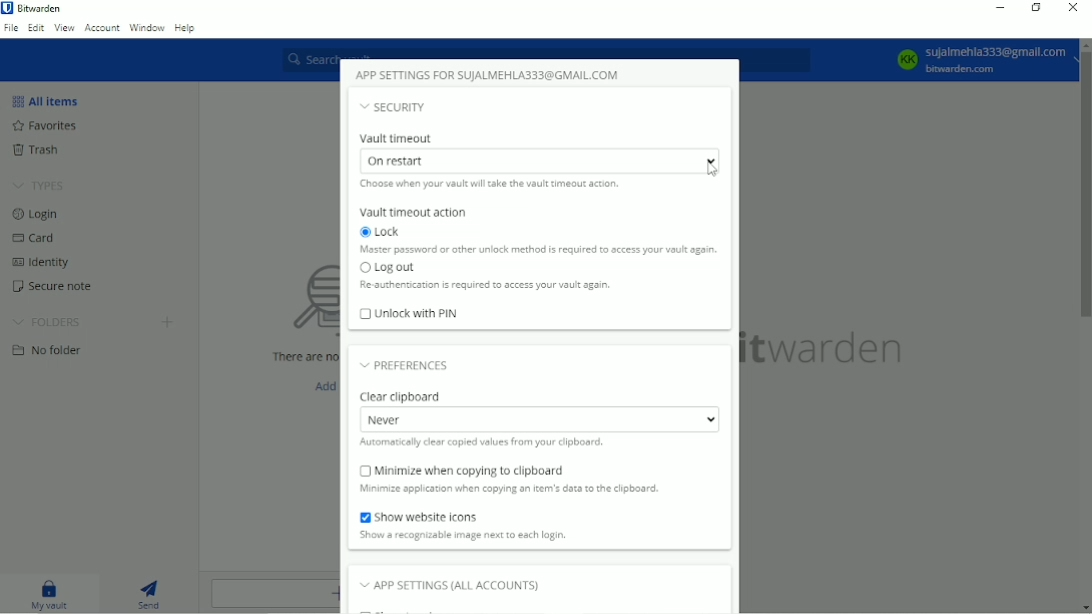  I want to click on File, so click(11, 29).